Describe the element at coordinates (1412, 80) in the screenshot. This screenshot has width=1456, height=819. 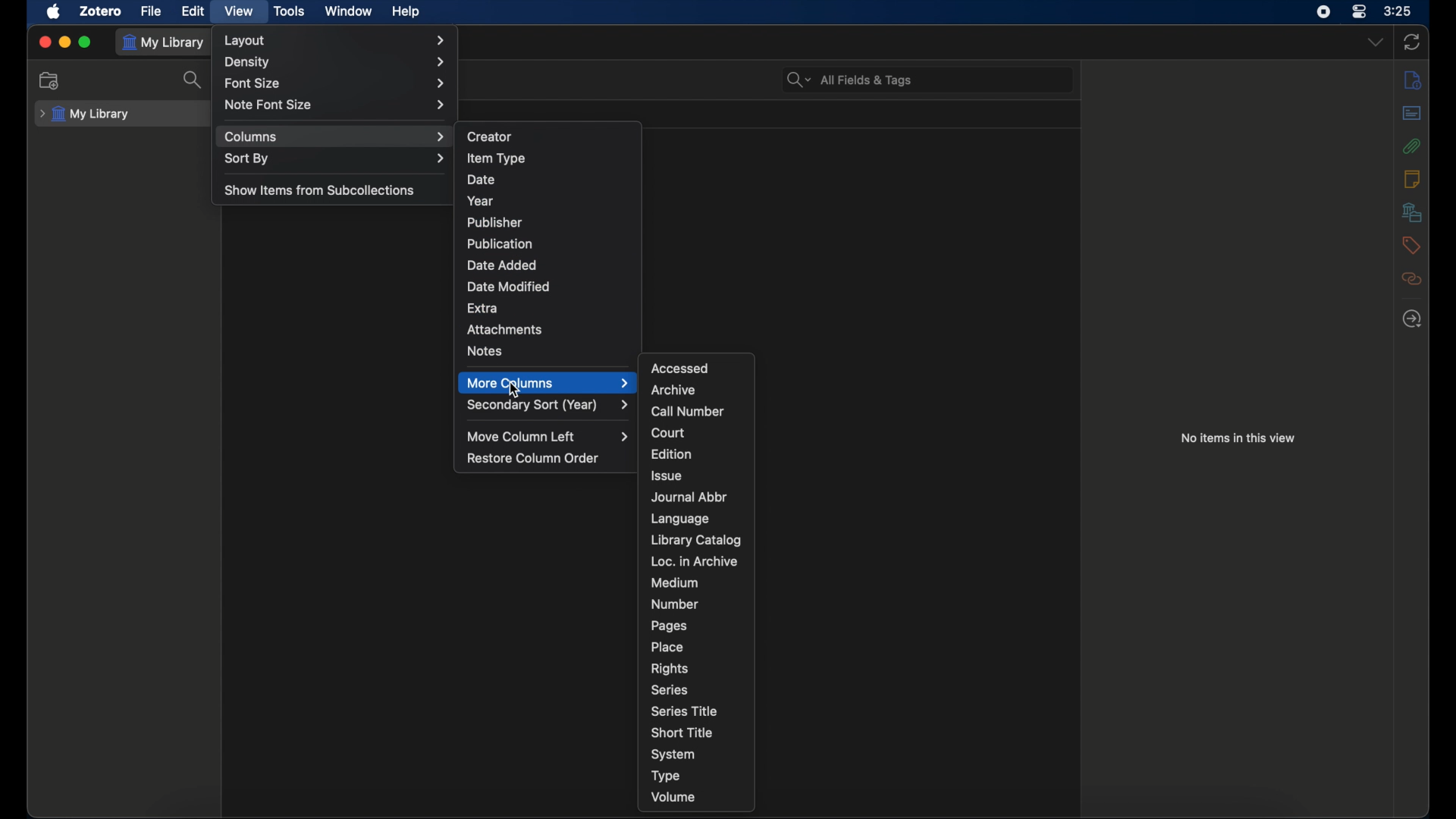
I see `` at that location.